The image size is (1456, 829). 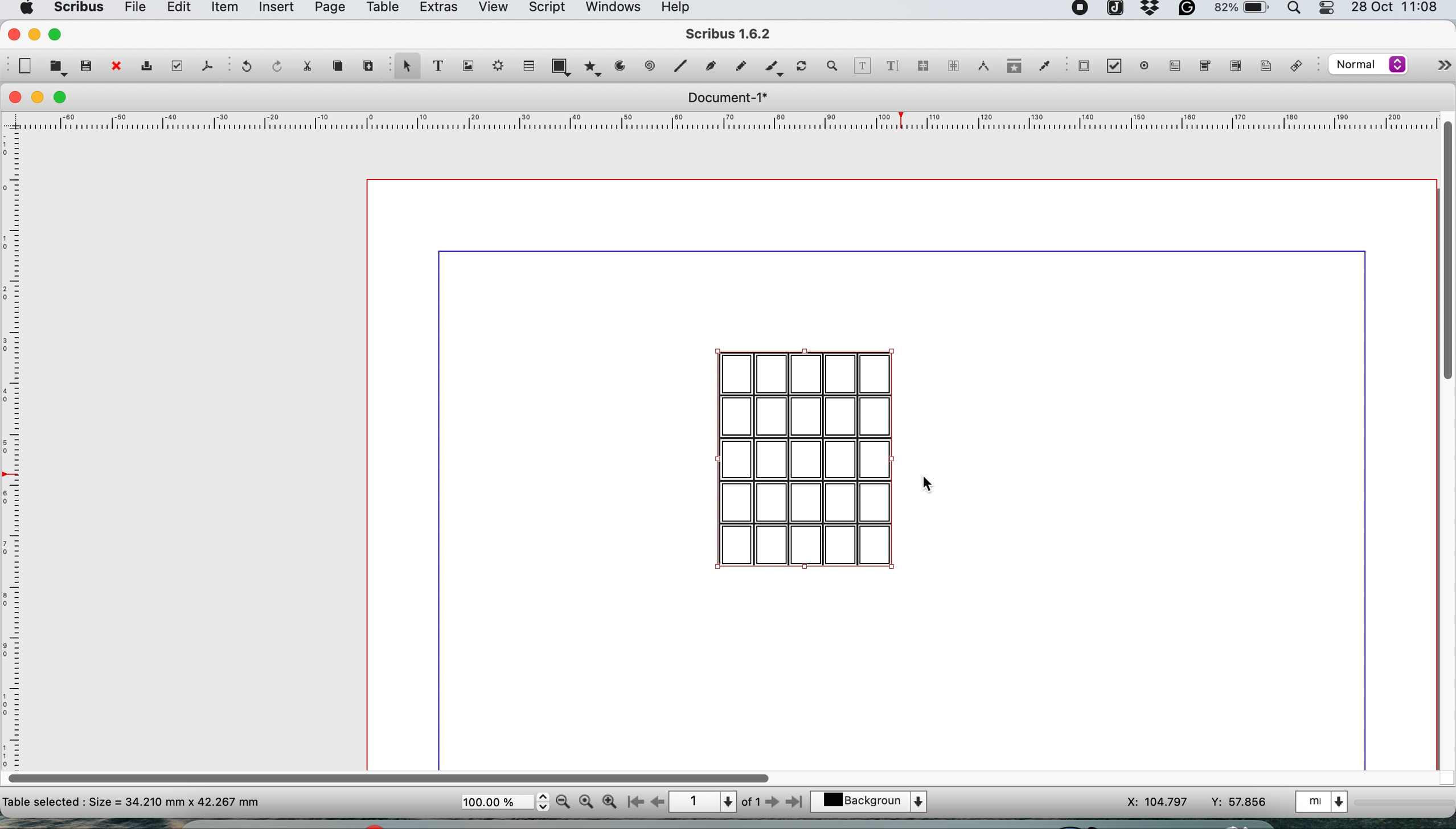 I want to click on render frame, so click(x=495, y=65).